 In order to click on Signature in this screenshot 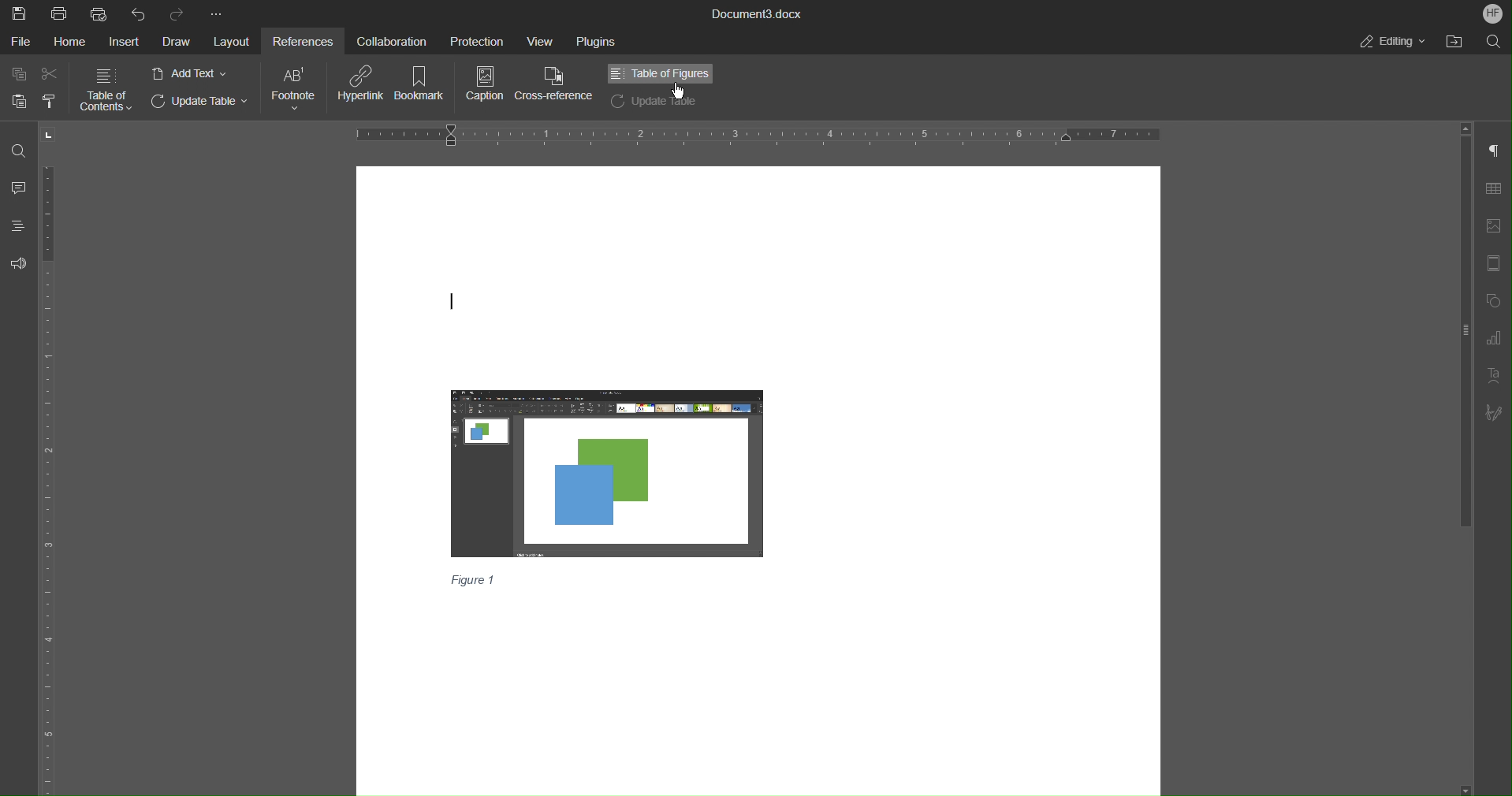, I will do `click(1496, 415)`.